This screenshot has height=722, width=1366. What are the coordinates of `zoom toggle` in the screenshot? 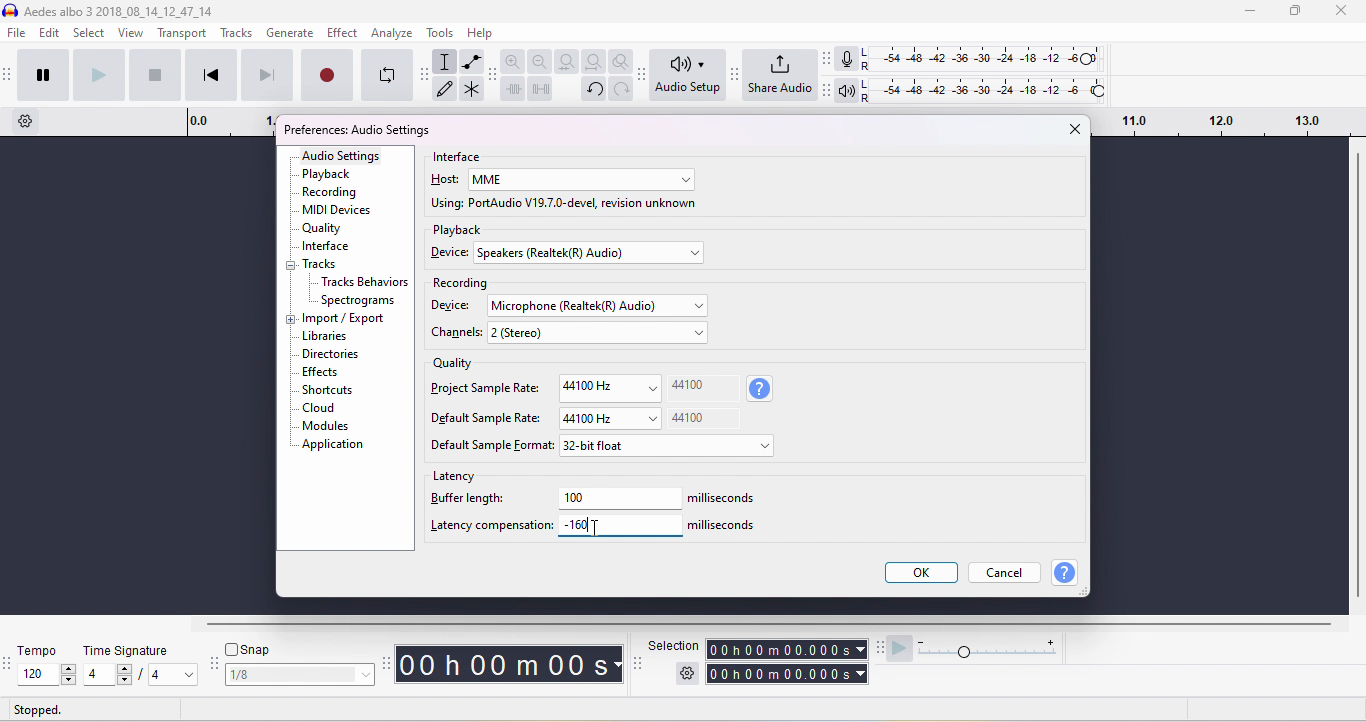 It's located at (622, 61).